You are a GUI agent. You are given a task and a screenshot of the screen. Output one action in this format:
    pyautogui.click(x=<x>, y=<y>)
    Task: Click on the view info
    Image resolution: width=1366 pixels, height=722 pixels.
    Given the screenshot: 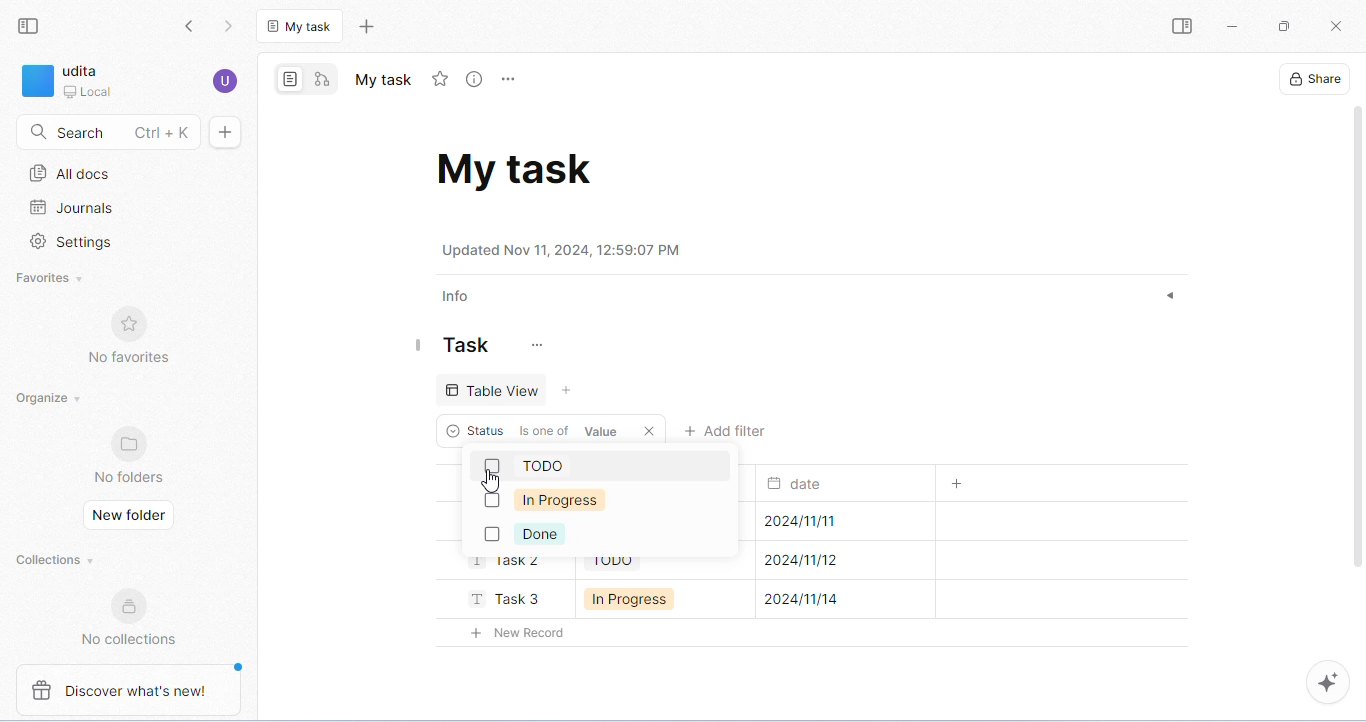 What is the action you would take?
    pyautogui.click(x=477, y=80)
    